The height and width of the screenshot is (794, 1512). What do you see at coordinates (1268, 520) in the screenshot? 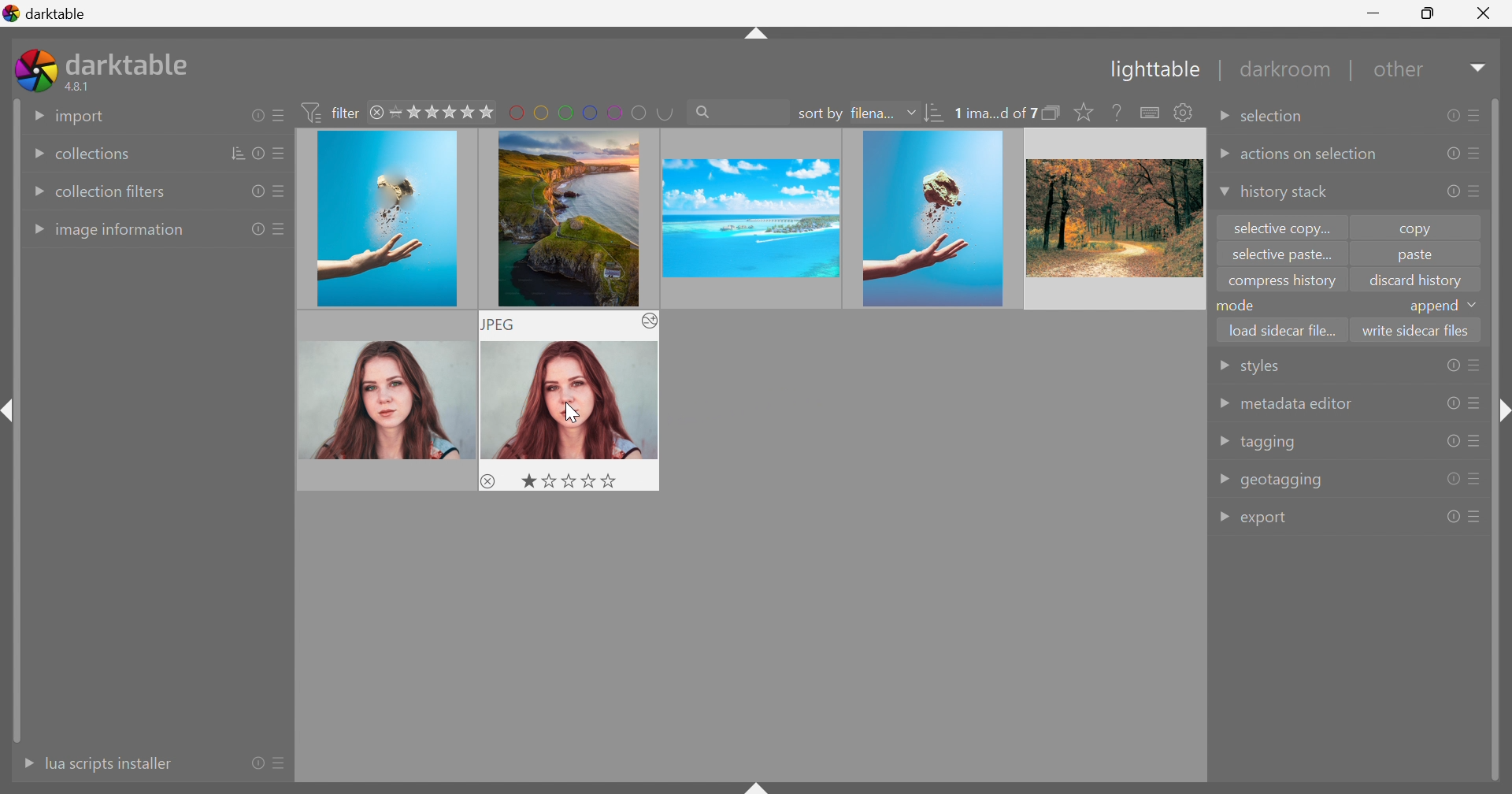
I see `export` at bounding box center [1268, 520].